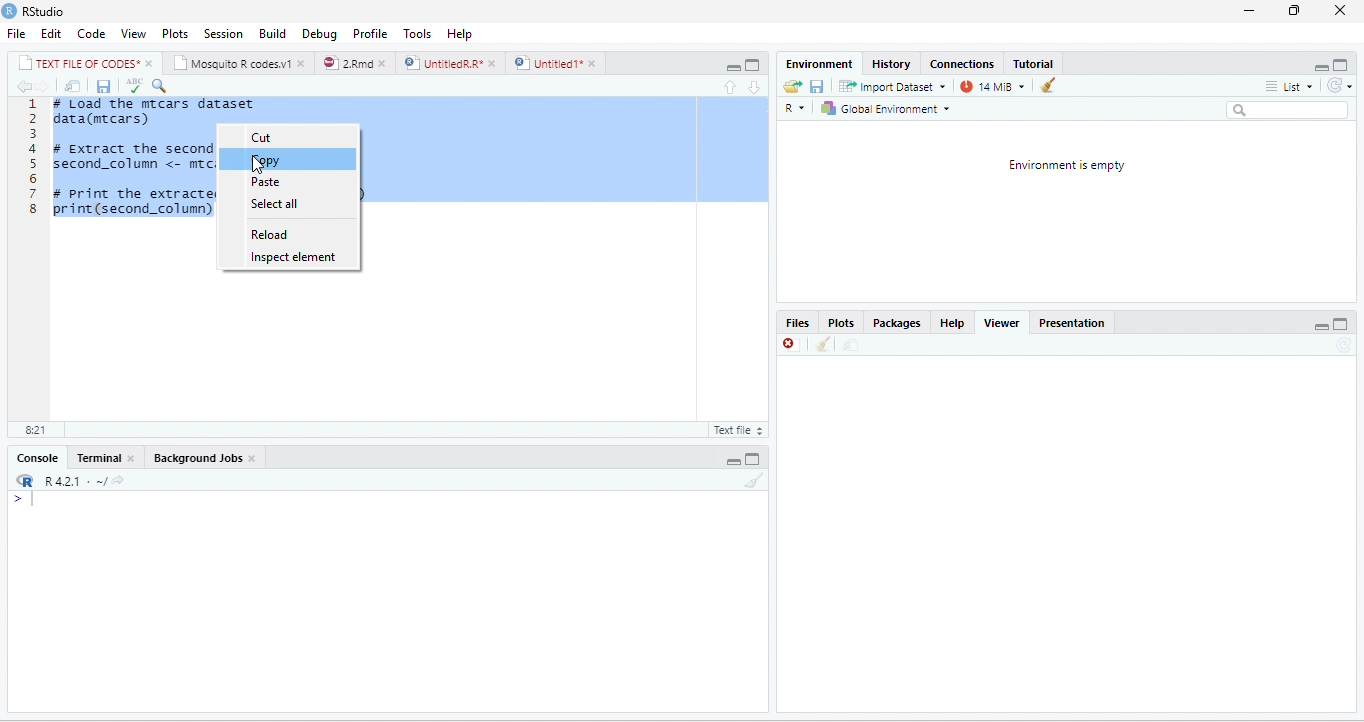 The width and height of the screenshot is (1364, 722). What do you see at coordinates (258, 166) in the screenshot?
I see `cursor` at bounding box center [258, 166].